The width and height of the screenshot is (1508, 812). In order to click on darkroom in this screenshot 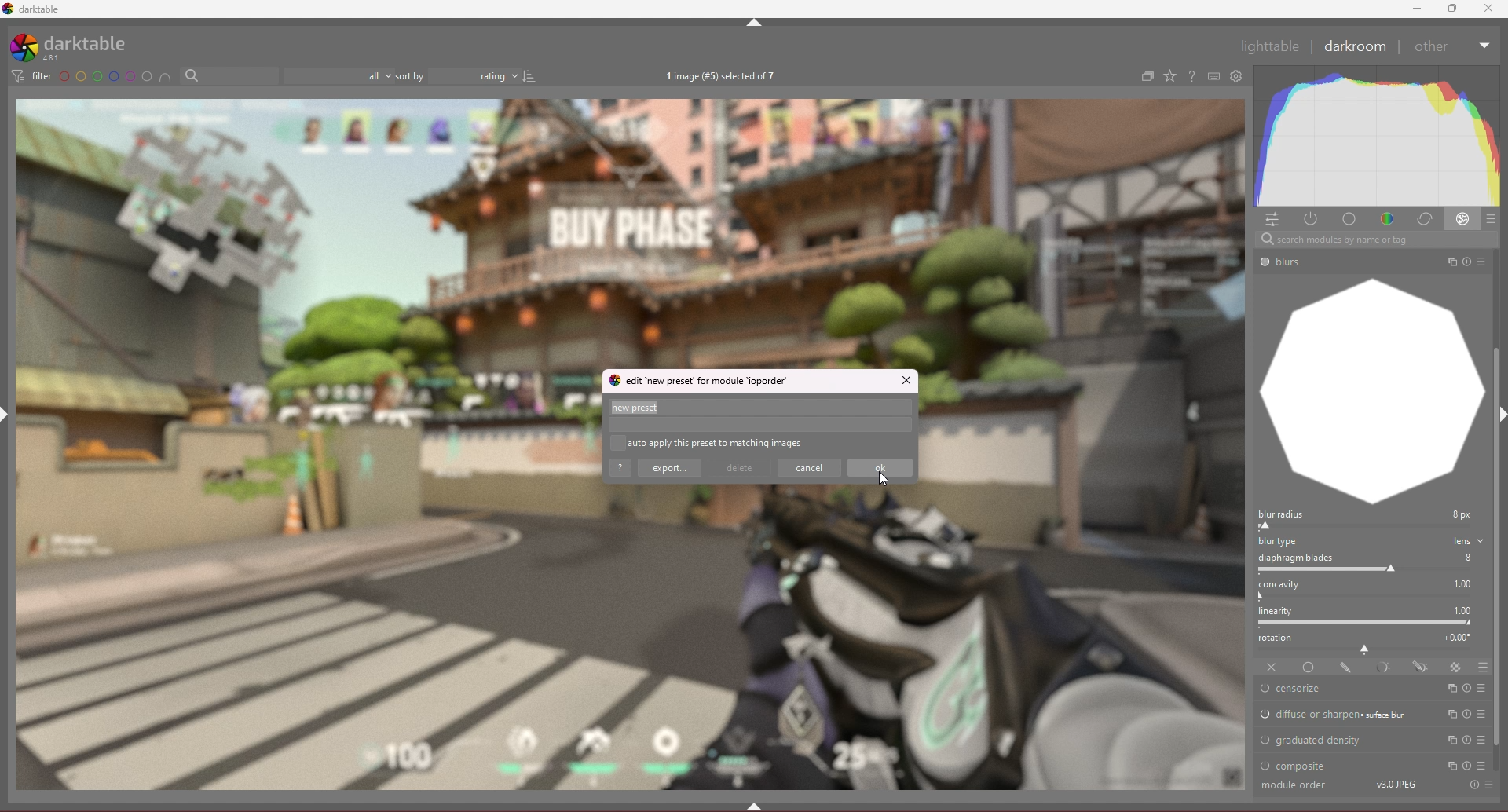, I will do `click(1356, 46)`.